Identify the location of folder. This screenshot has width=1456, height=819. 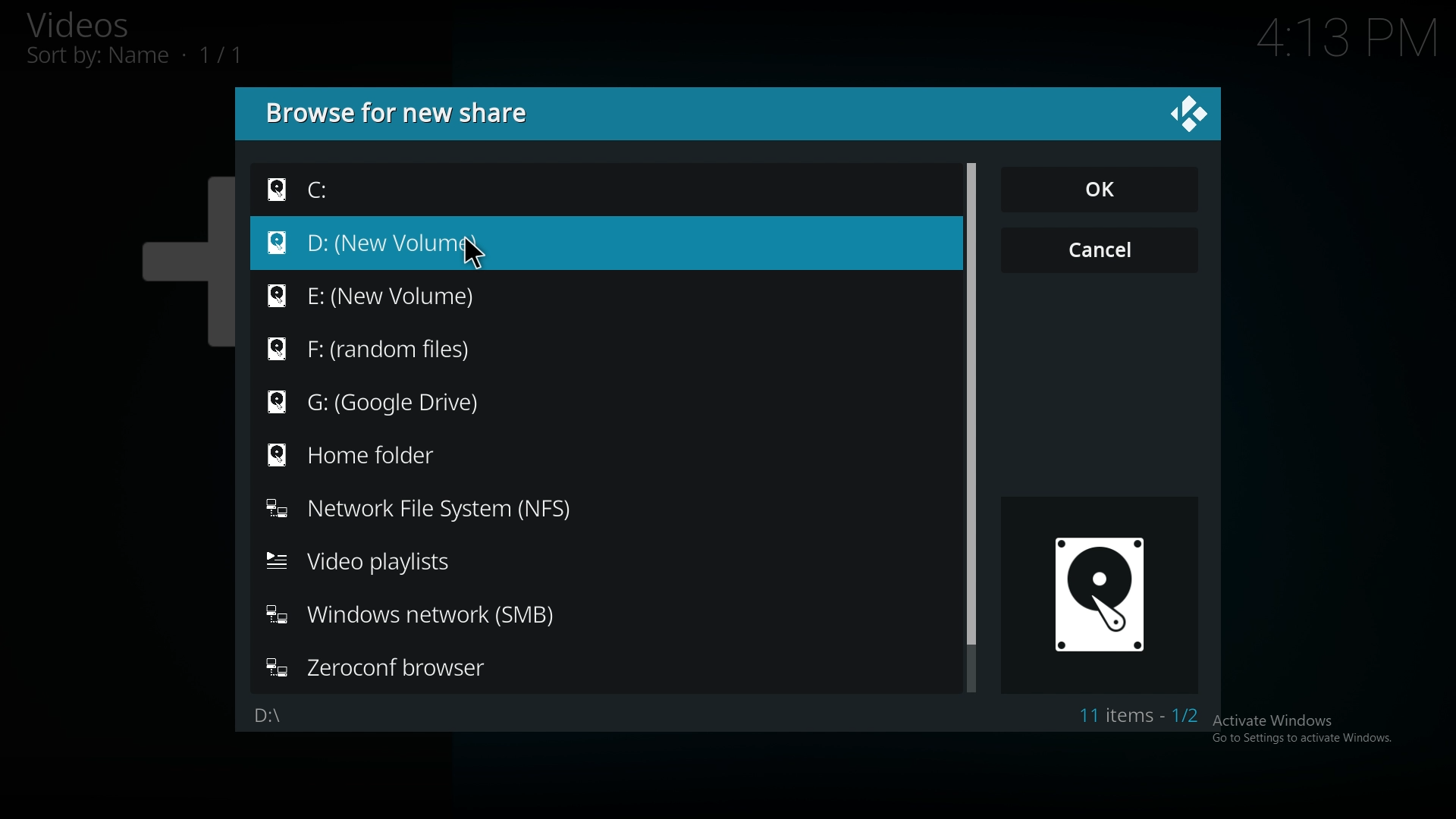
(421, 618).